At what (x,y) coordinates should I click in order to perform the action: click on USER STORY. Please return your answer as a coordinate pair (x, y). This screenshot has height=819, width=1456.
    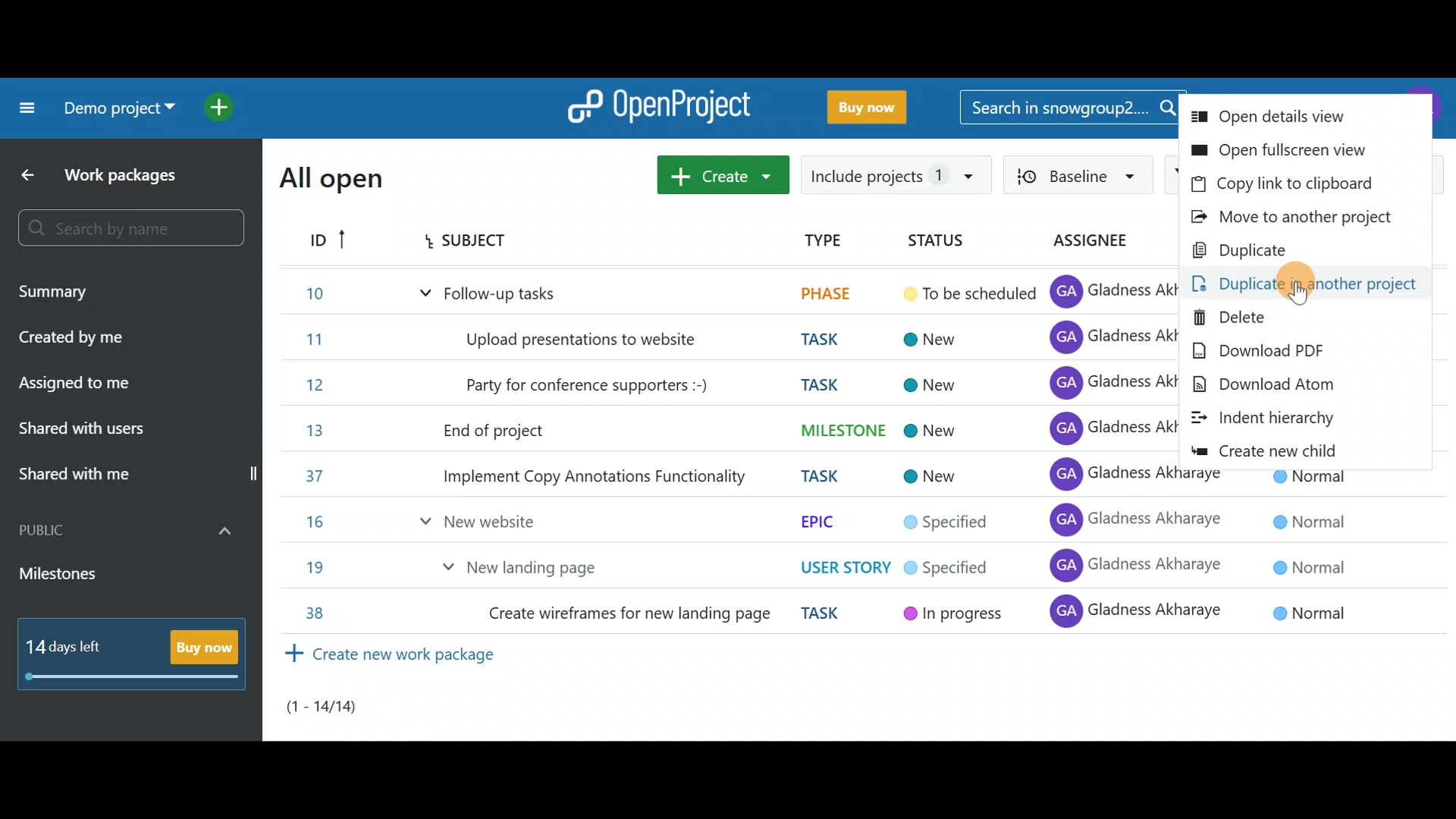
    Looking at the image, I should click on (844, 566).